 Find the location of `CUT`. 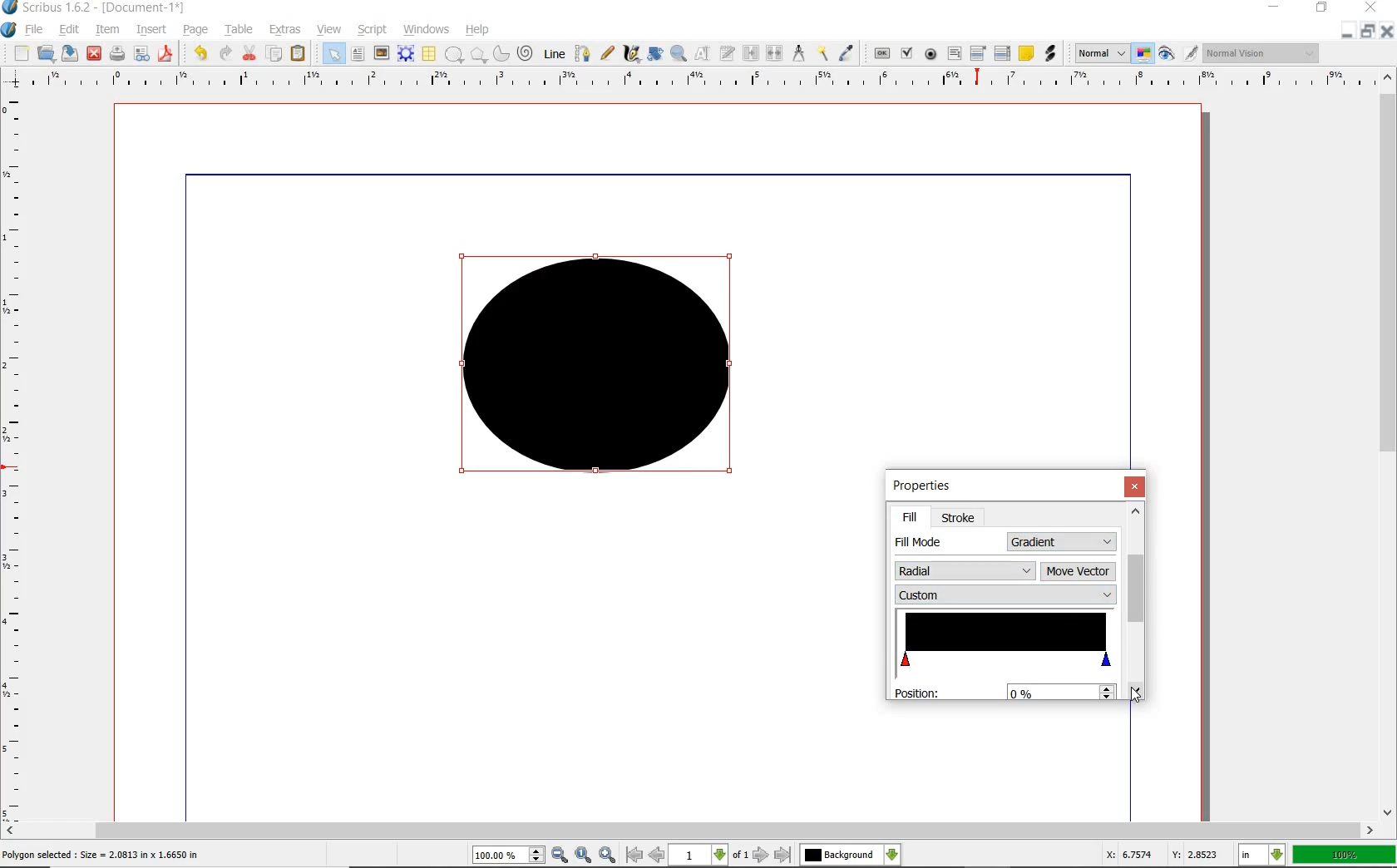

CUT is located at coordinates (250, 52).